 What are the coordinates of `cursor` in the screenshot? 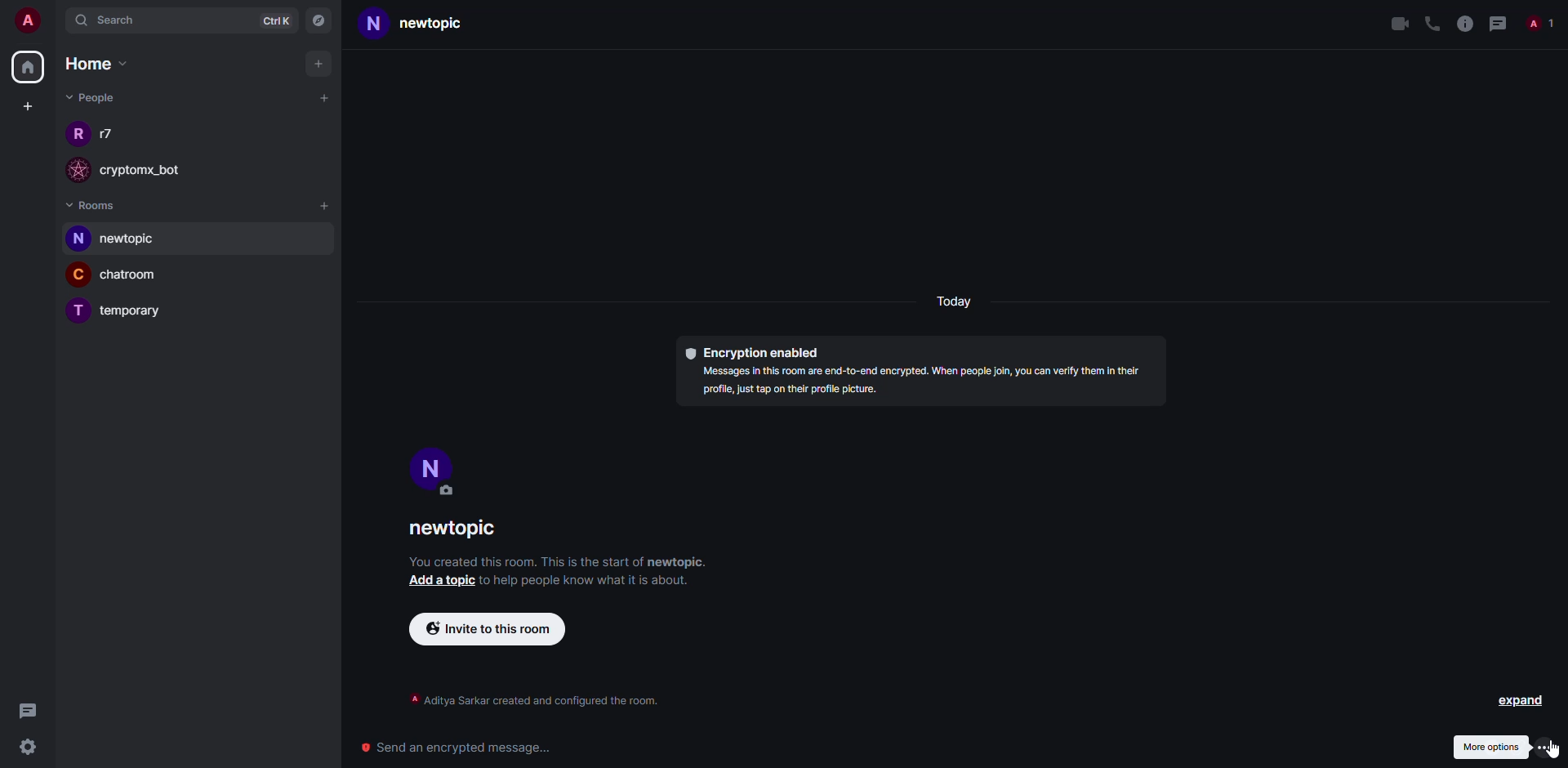 It's located at (1554, 751).